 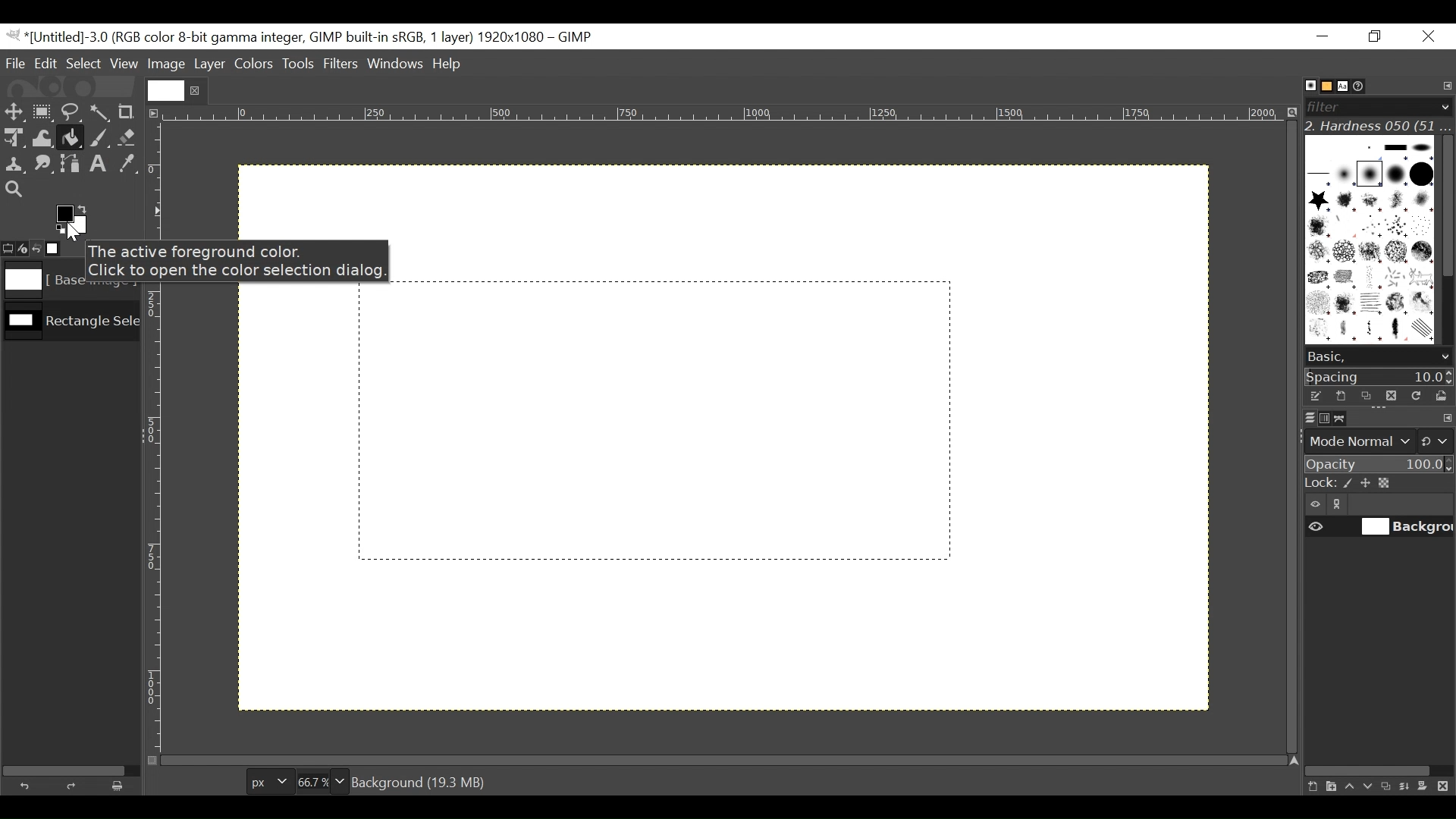 What do you see at coordinates (1366, 396) in the screenshot?
I see `Duplicate brush` at bounding box center [1366, 396].